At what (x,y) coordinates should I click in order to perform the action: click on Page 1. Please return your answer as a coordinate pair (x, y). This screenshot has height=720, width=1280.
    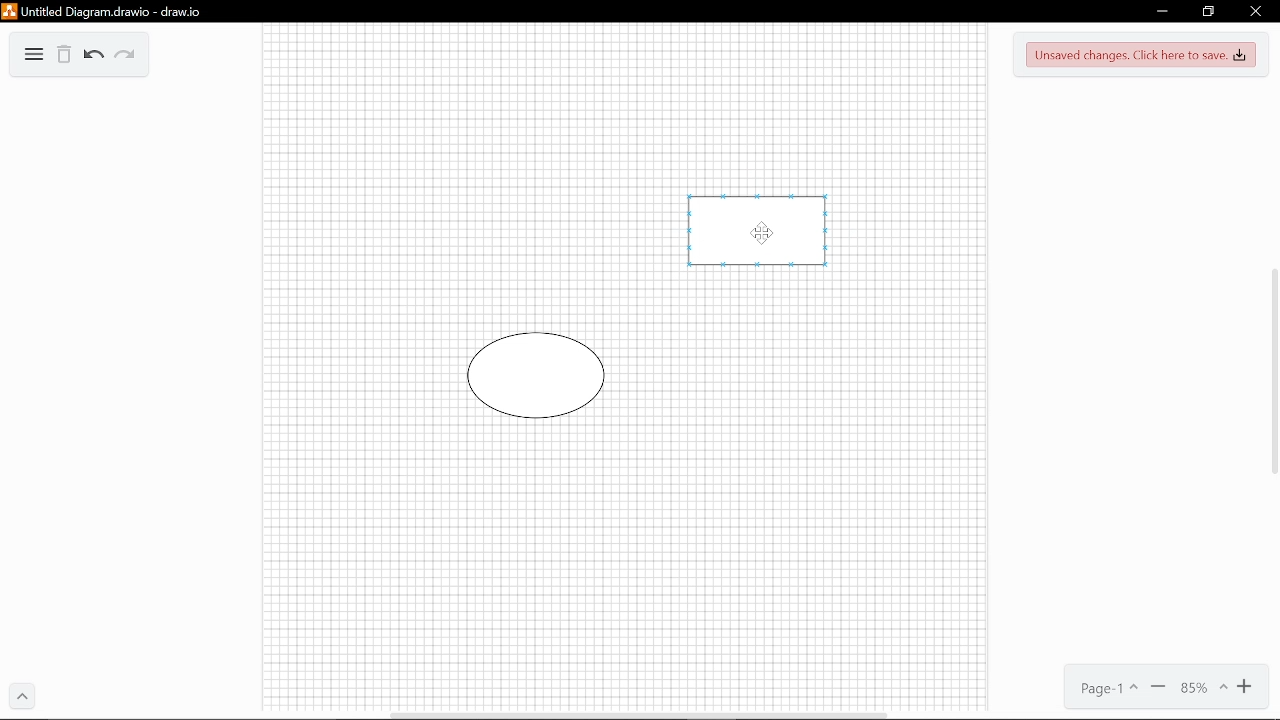
    Looking at the image, I should click on (1102, 690).